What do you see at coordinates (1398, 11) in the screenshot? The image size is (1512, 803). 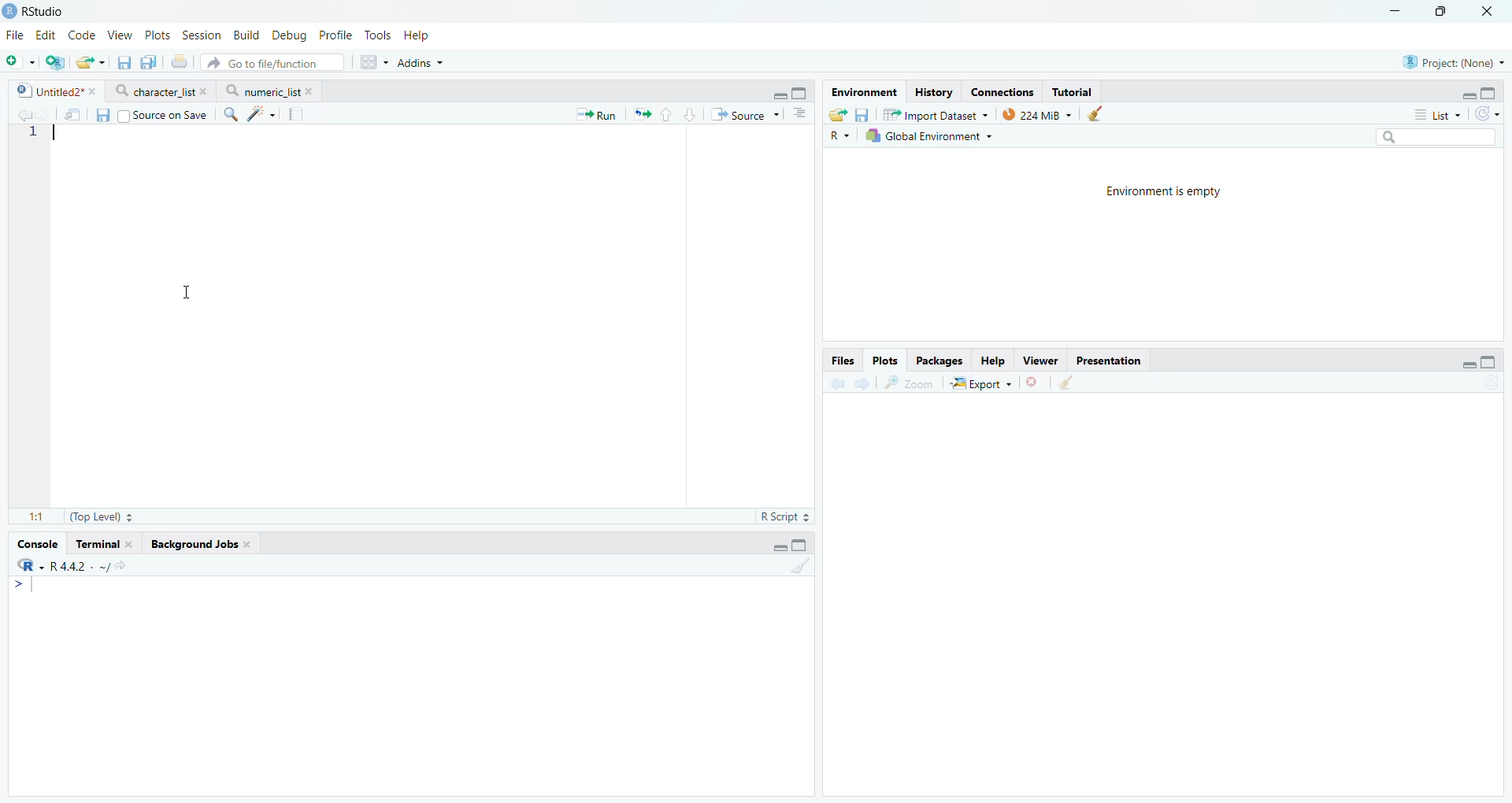 I see `Minimize` at bounding box center [1398, 11].